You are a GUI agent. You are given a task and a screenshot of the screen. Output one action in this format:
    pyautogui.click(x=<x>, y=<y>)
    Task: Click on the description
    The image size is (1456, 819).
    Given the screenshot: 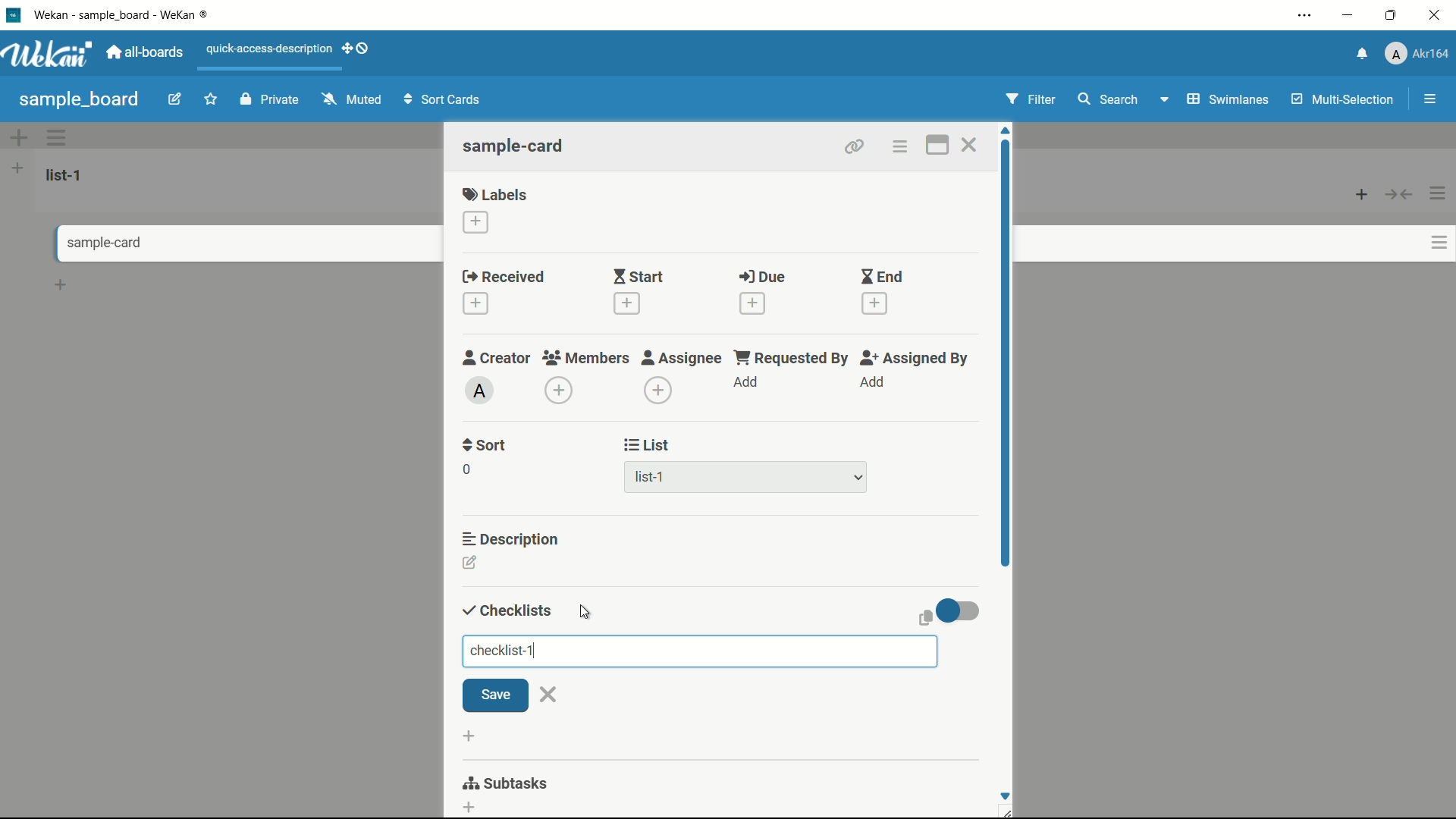 What is the action you would take?
    pyautogui.click(x=512, y=538)
    